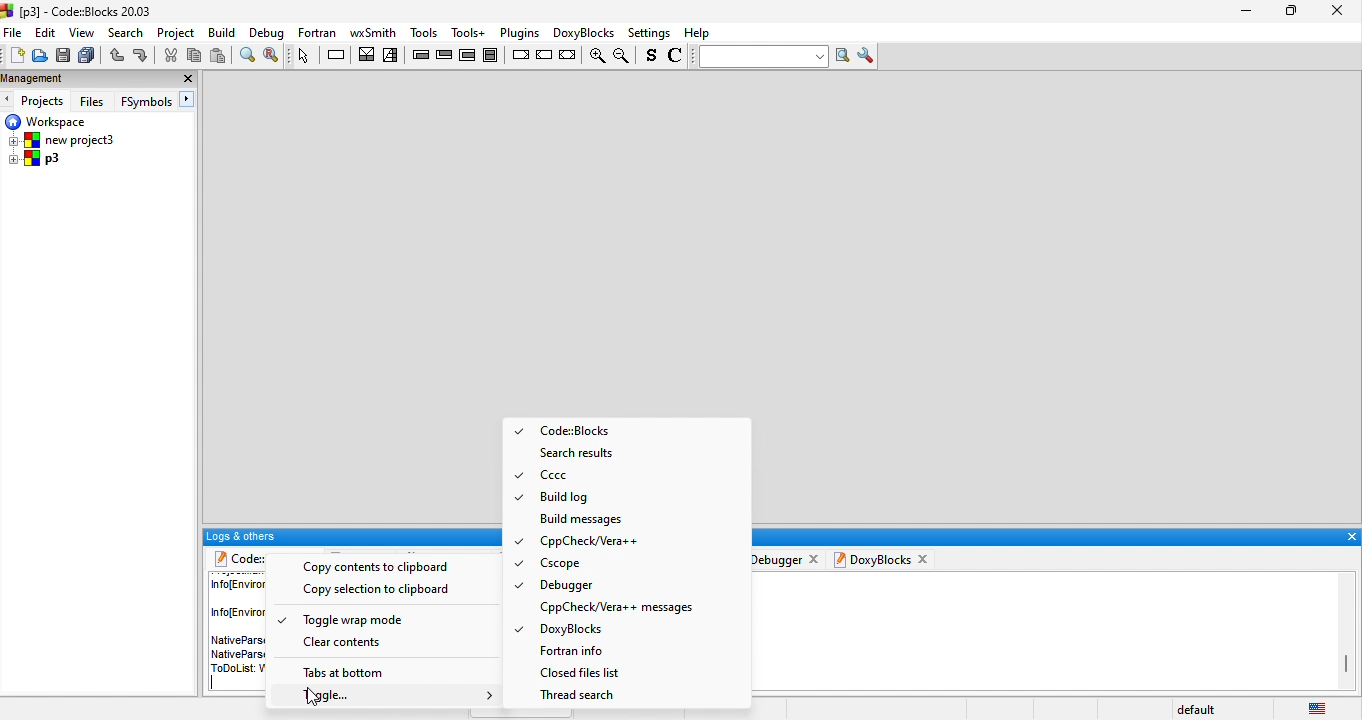  I want to click on show options window, so click(868, 56).